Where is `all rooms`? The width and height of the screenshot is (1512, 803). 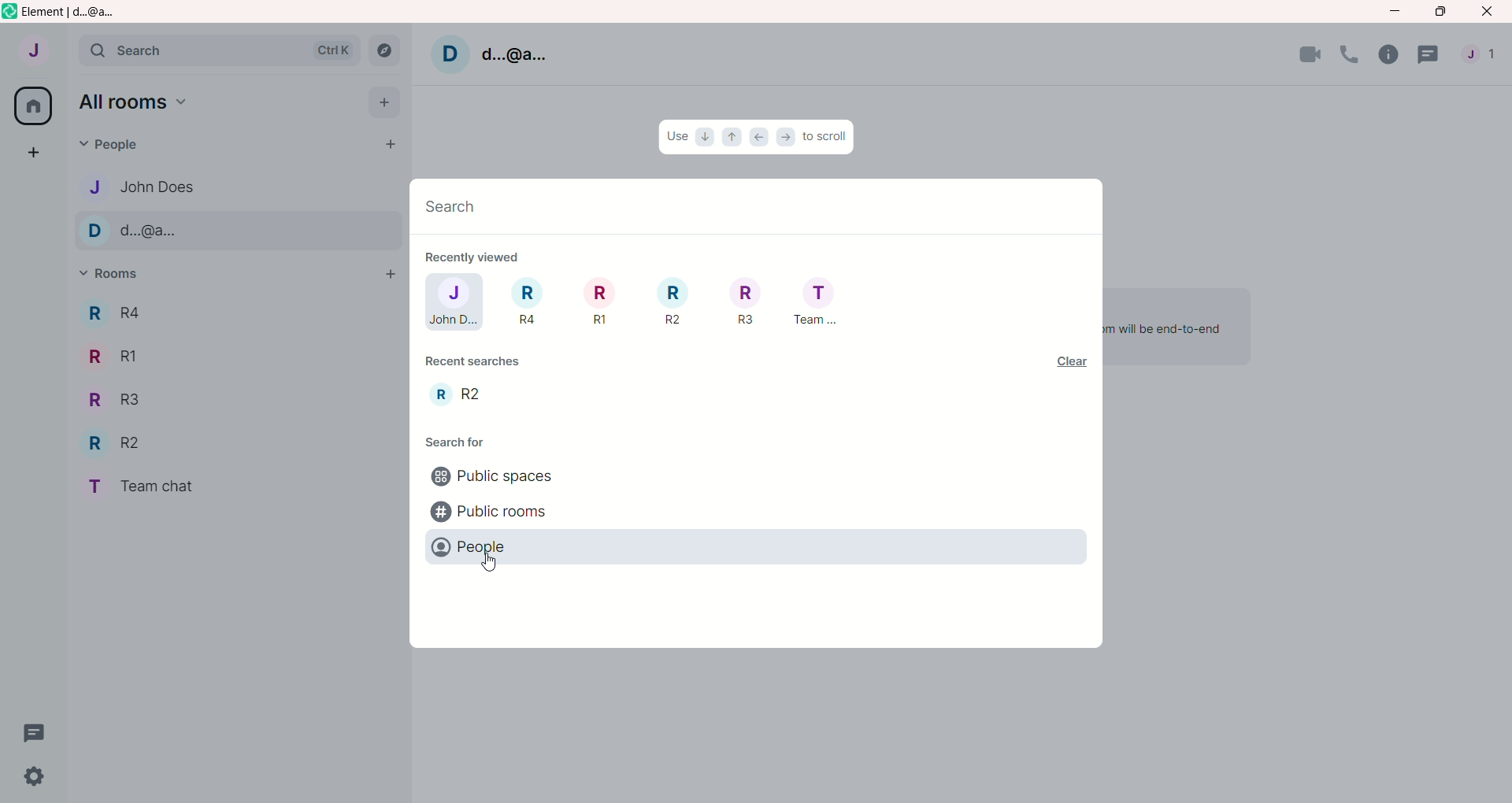
all rooms is located at coordinates (134, 103).